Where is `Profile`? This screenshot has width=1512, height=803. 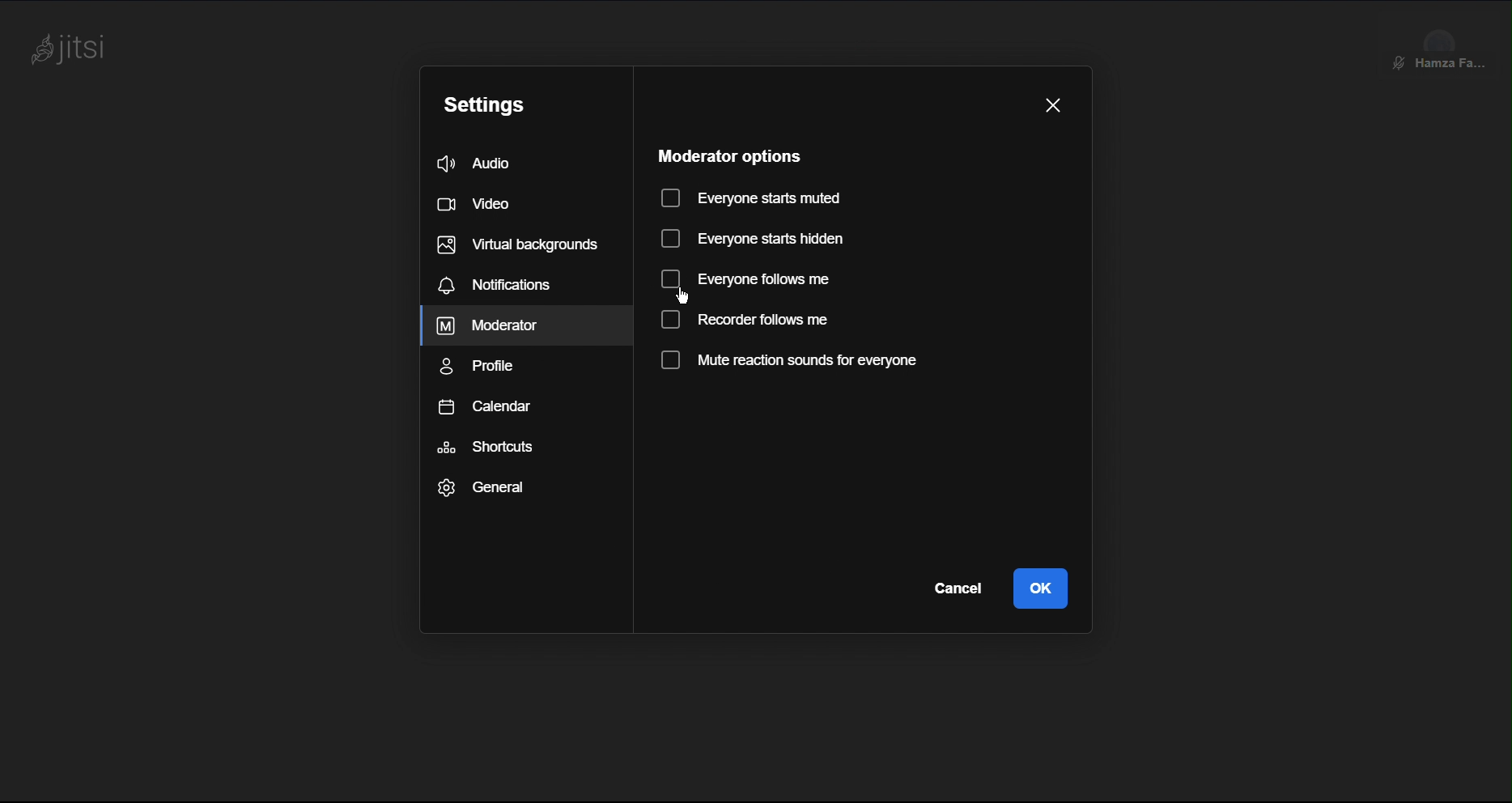
Profile is located at coordinates (483, 367).